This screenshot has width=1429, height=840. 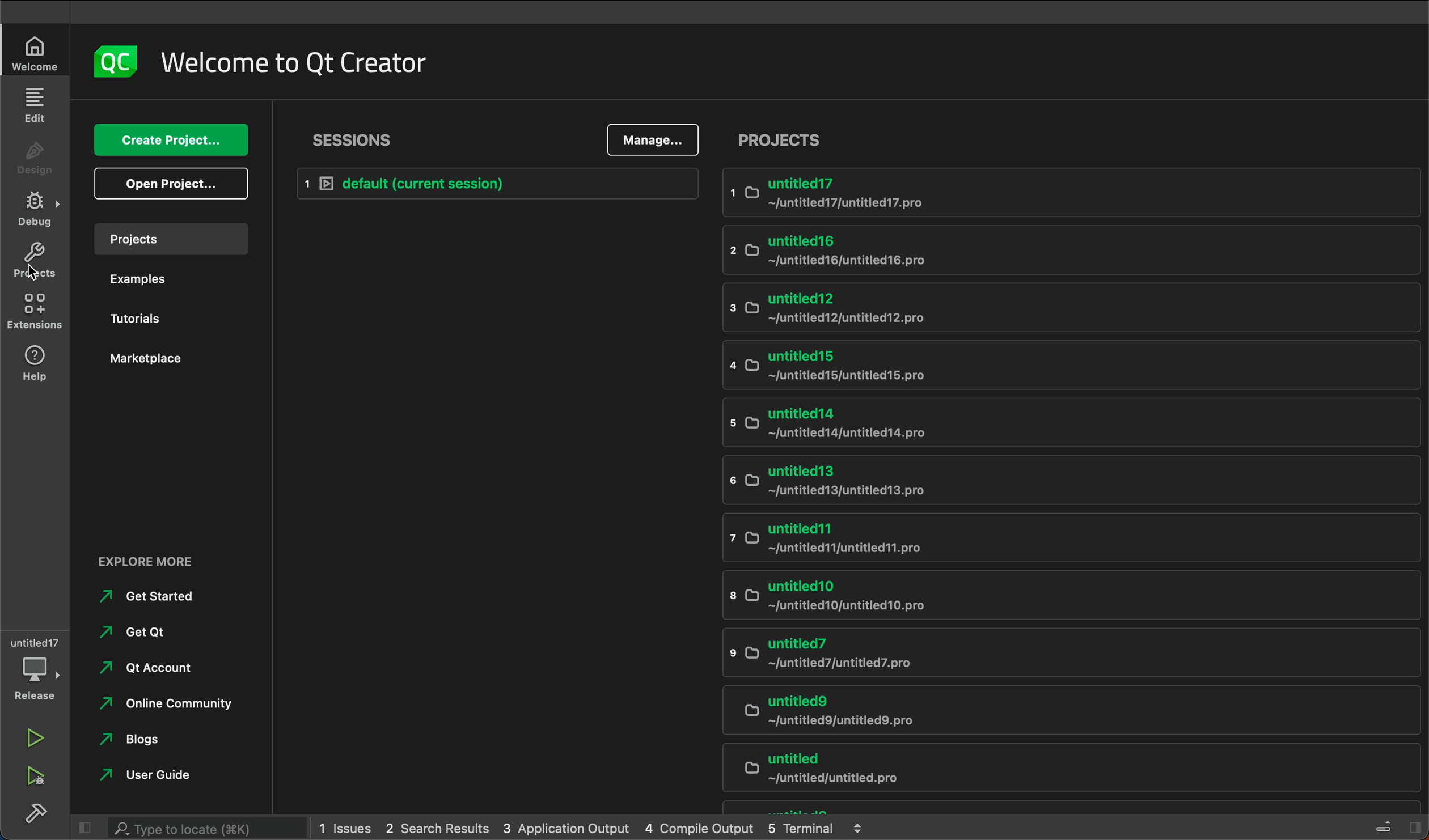 I want to click on untitled16, so click(x=1058, y=250).